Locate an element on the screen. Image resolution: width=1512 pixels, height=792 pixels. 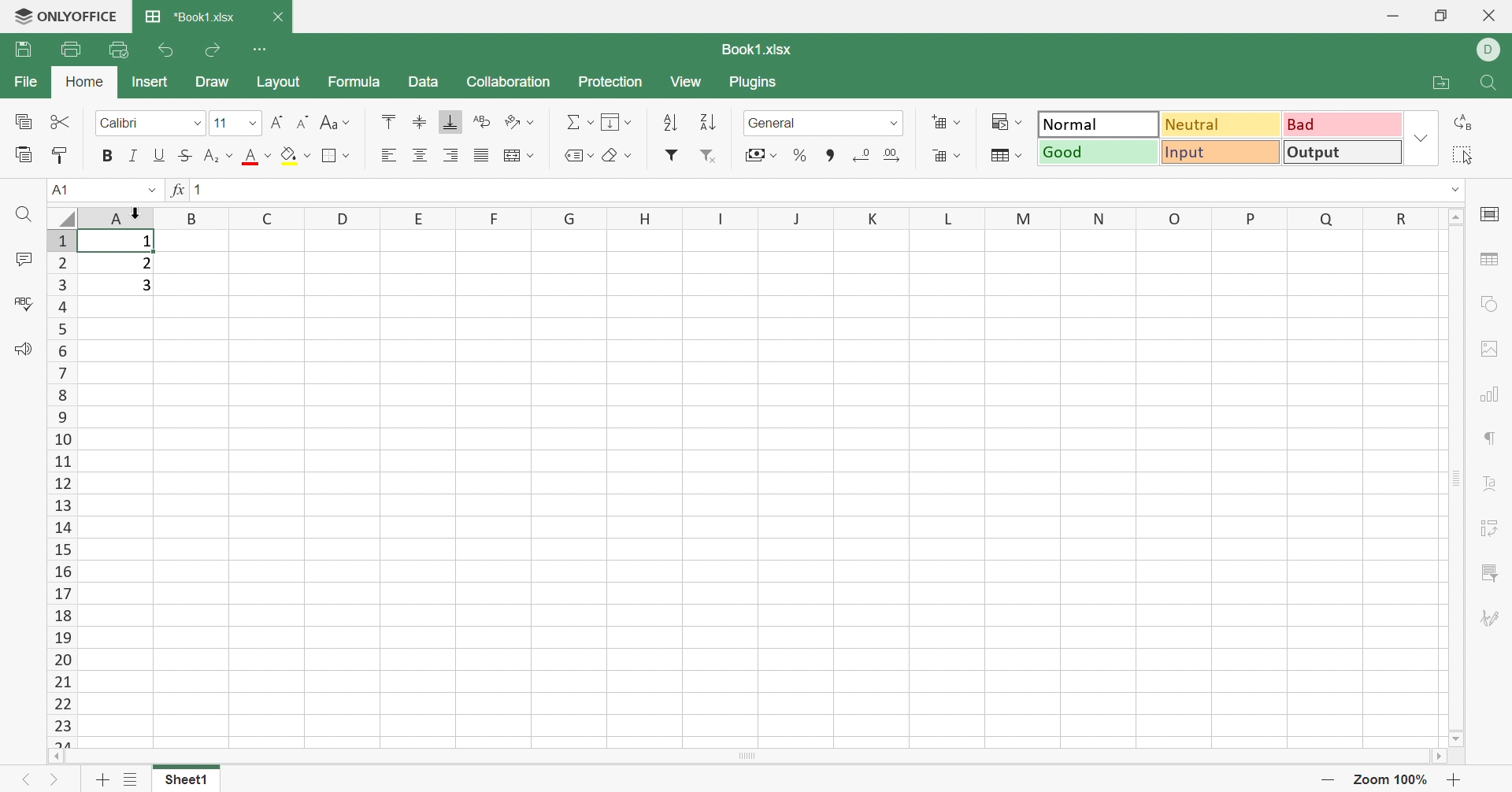
Bad is located at coordinates (1342, 124).